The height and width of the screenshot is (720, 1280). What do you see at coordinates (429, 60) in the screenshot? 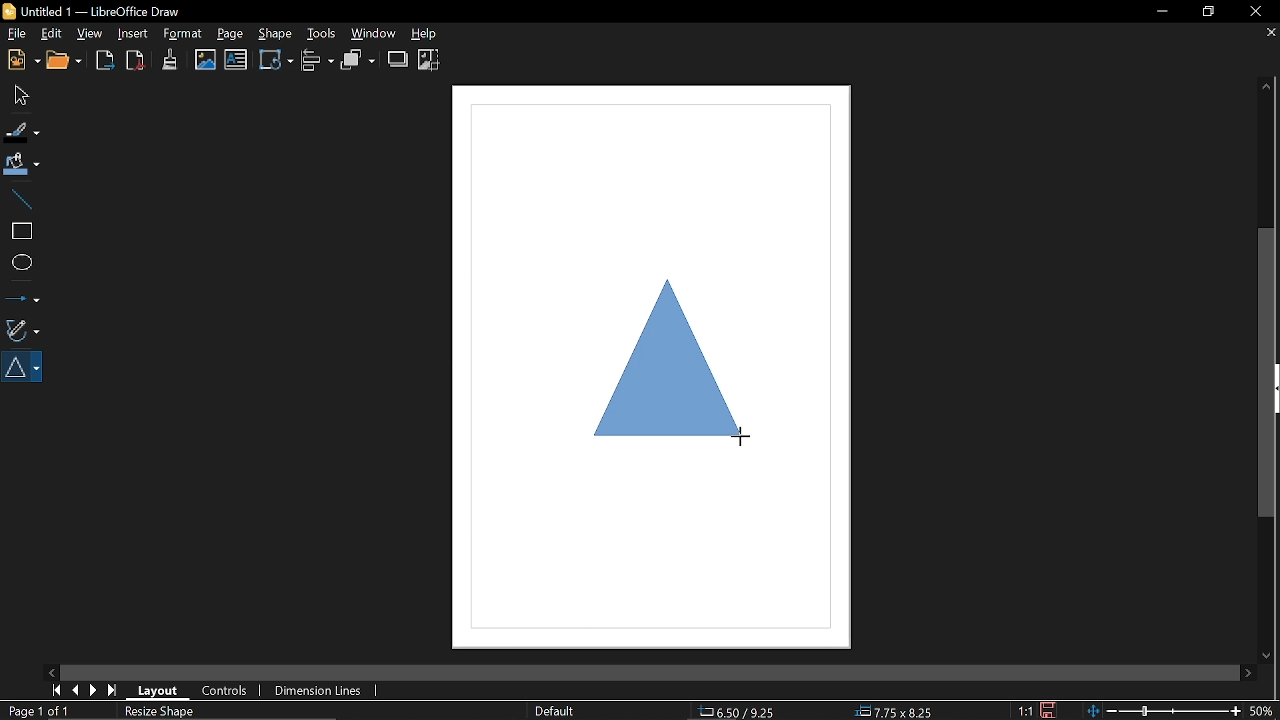
I see `Crop` at bounding box center [429, 60].